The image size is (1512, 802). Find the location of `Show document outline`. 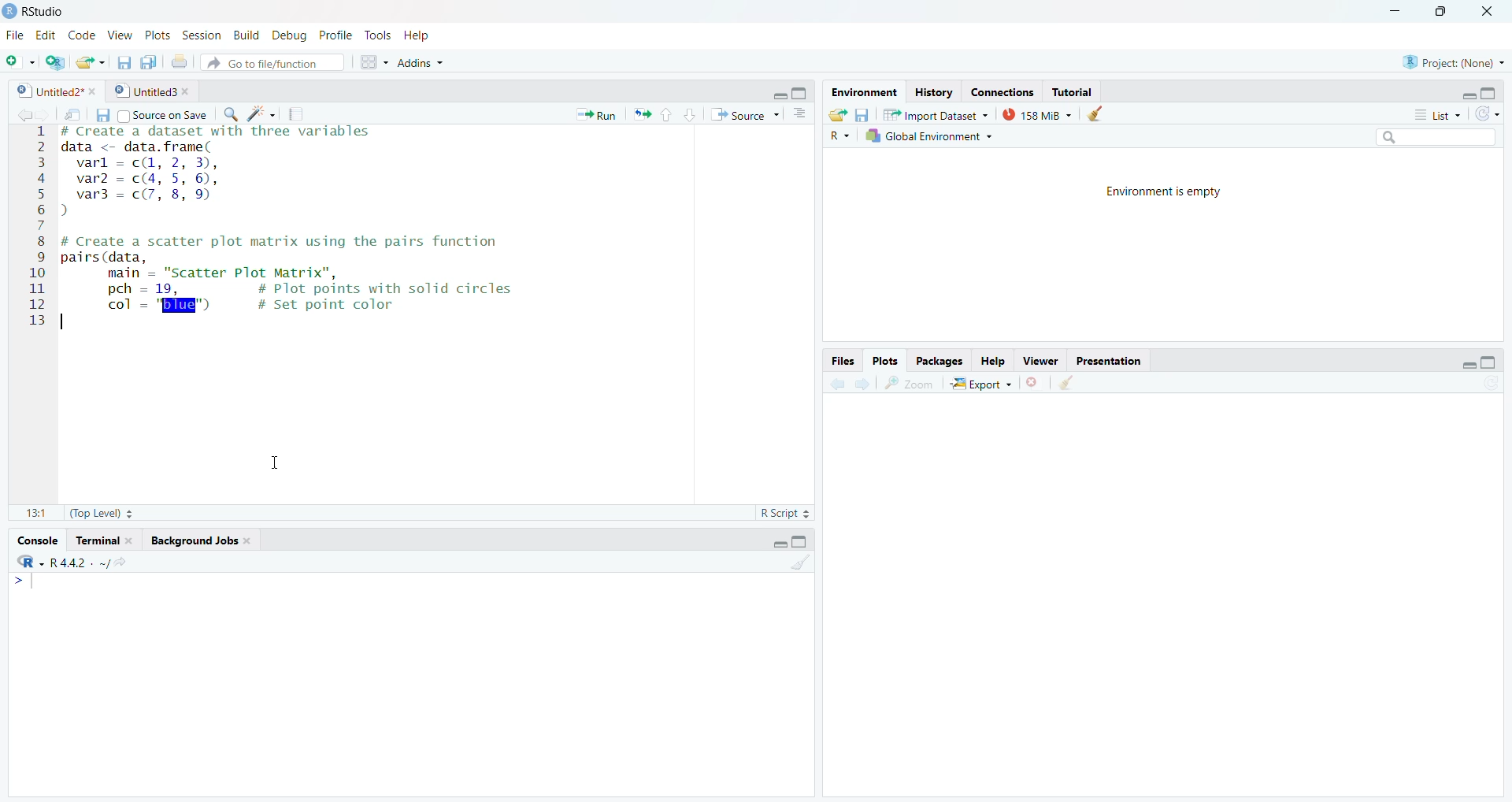

Show document outline is located at coordinates (803, 113).